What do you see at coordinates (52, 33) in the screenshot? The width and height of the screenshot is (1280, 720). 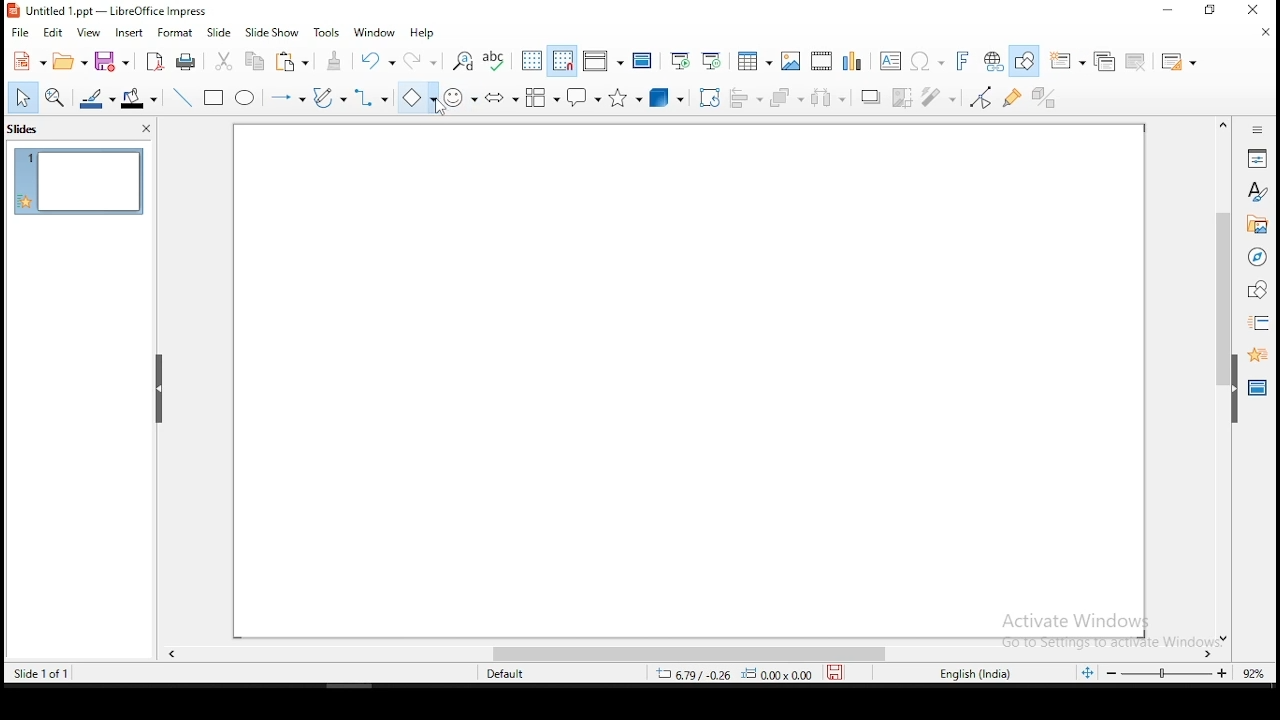 I see `edit` at bounding box center [52, 33].